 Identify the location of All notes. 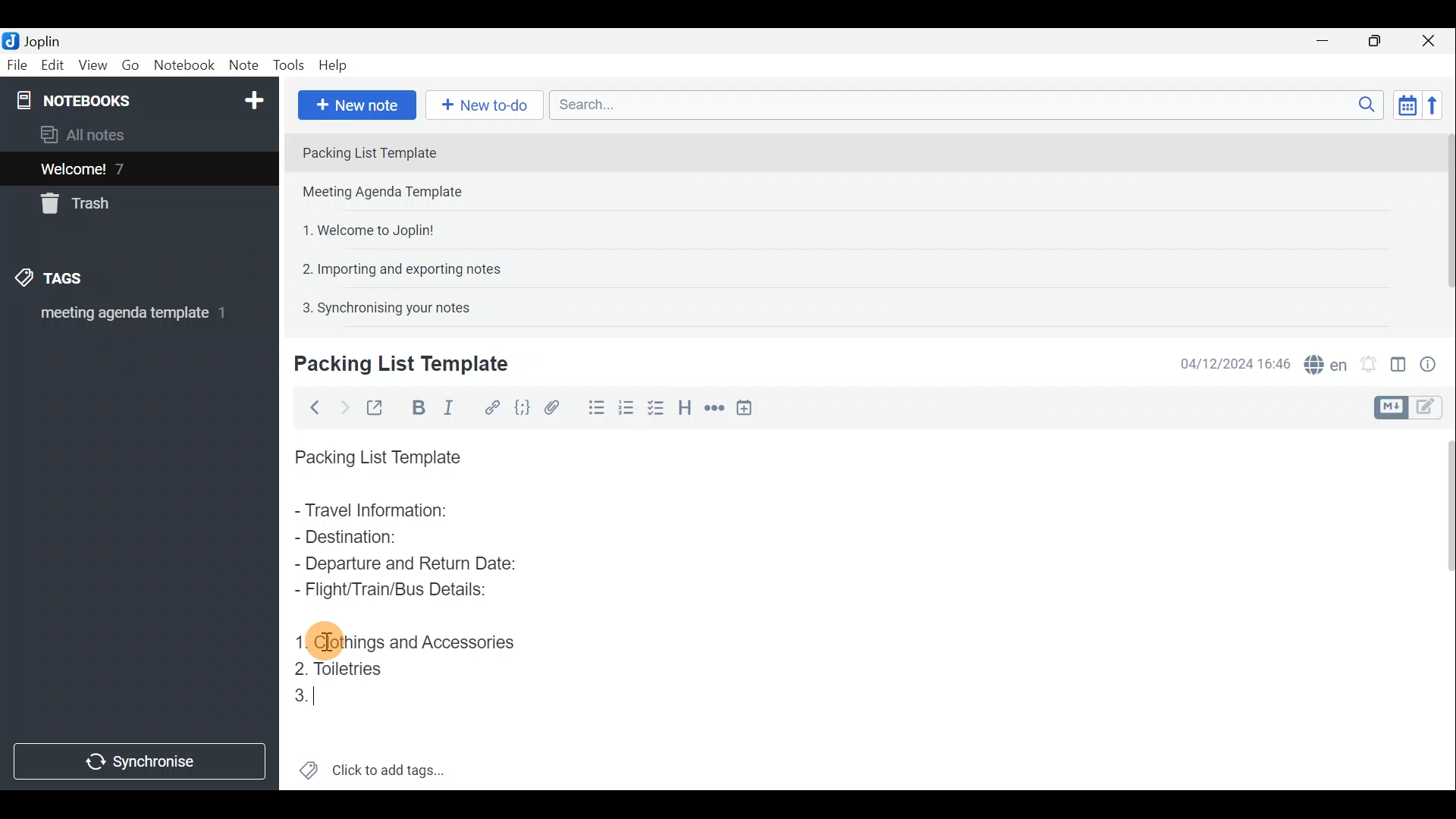
(88, 134).